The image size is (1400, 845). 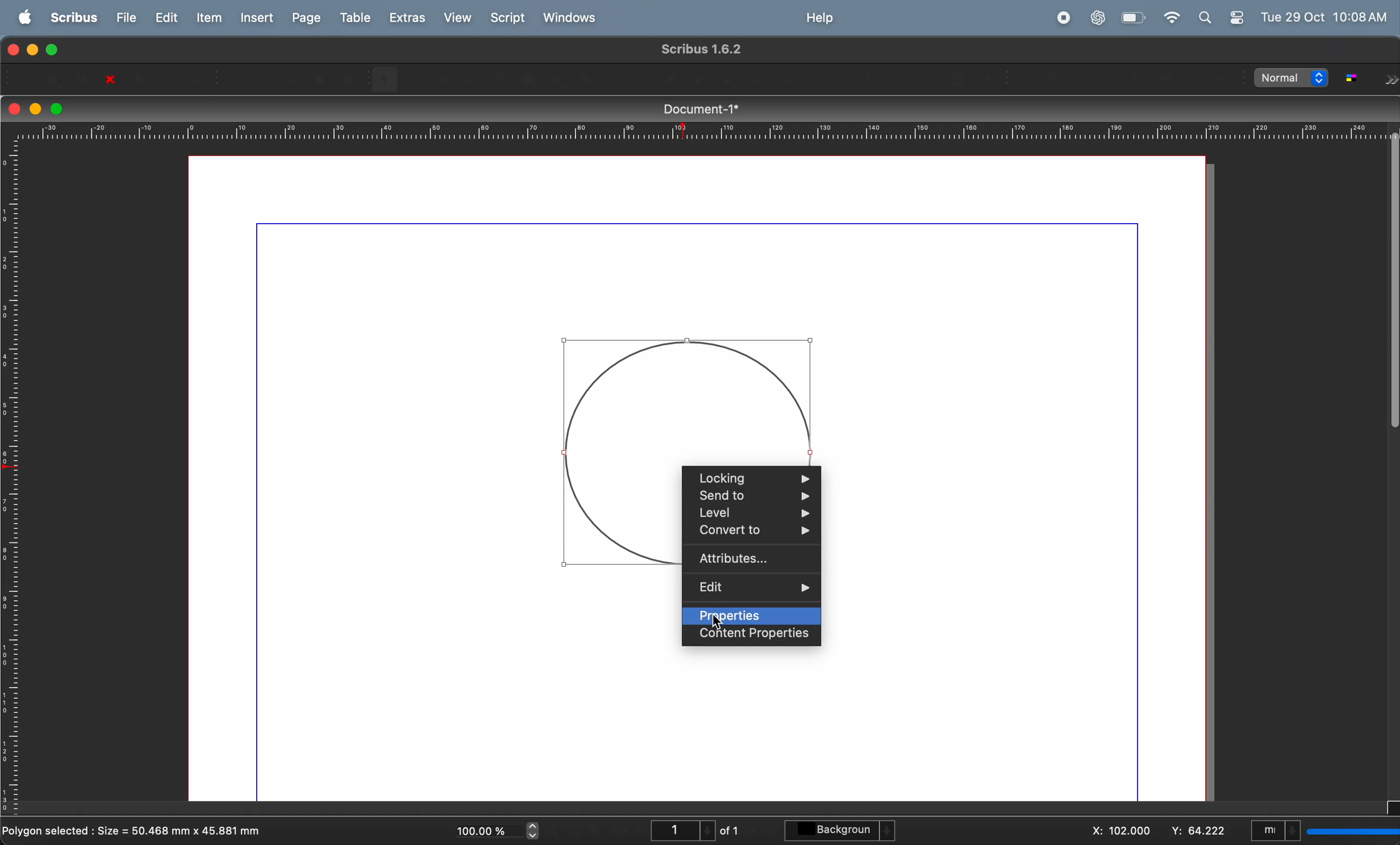 I want to click on edit, so click(x=162, y=18).